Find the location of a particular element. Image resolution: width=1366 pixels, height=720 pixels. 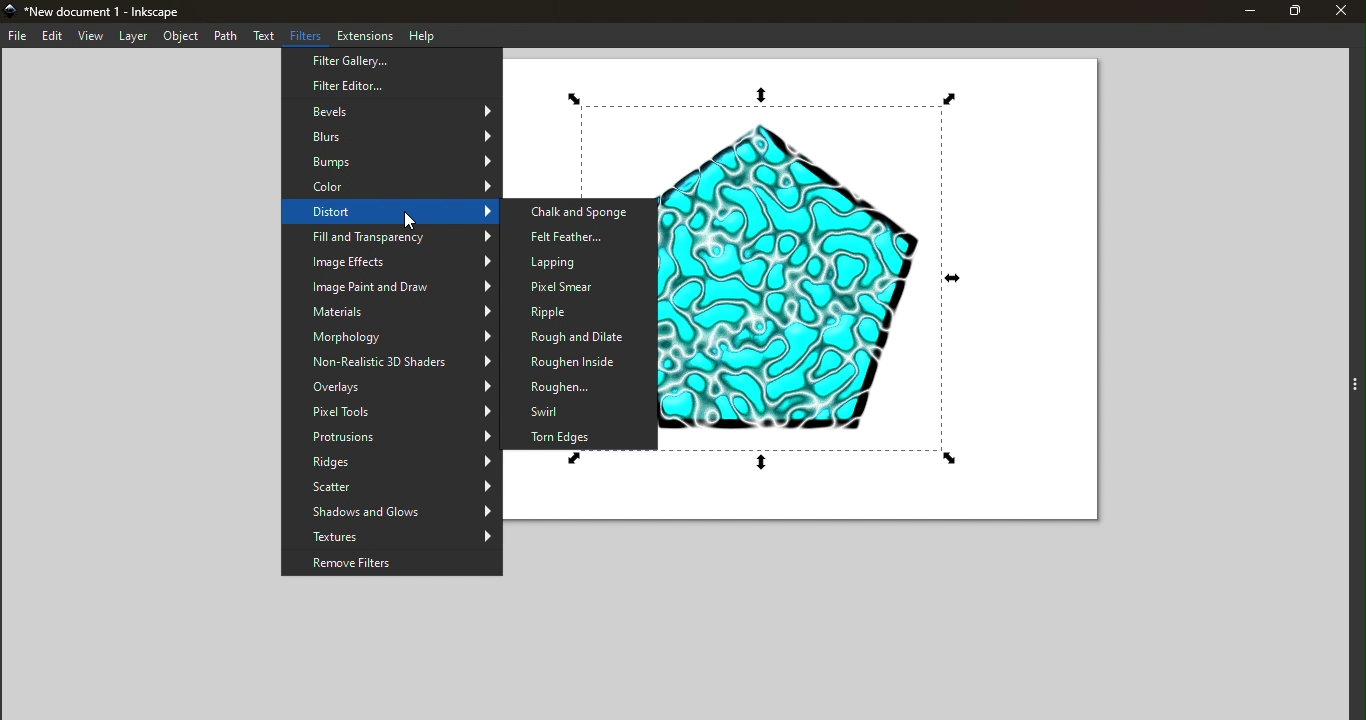

Roughen Inside is located at coordinates (581, 361).